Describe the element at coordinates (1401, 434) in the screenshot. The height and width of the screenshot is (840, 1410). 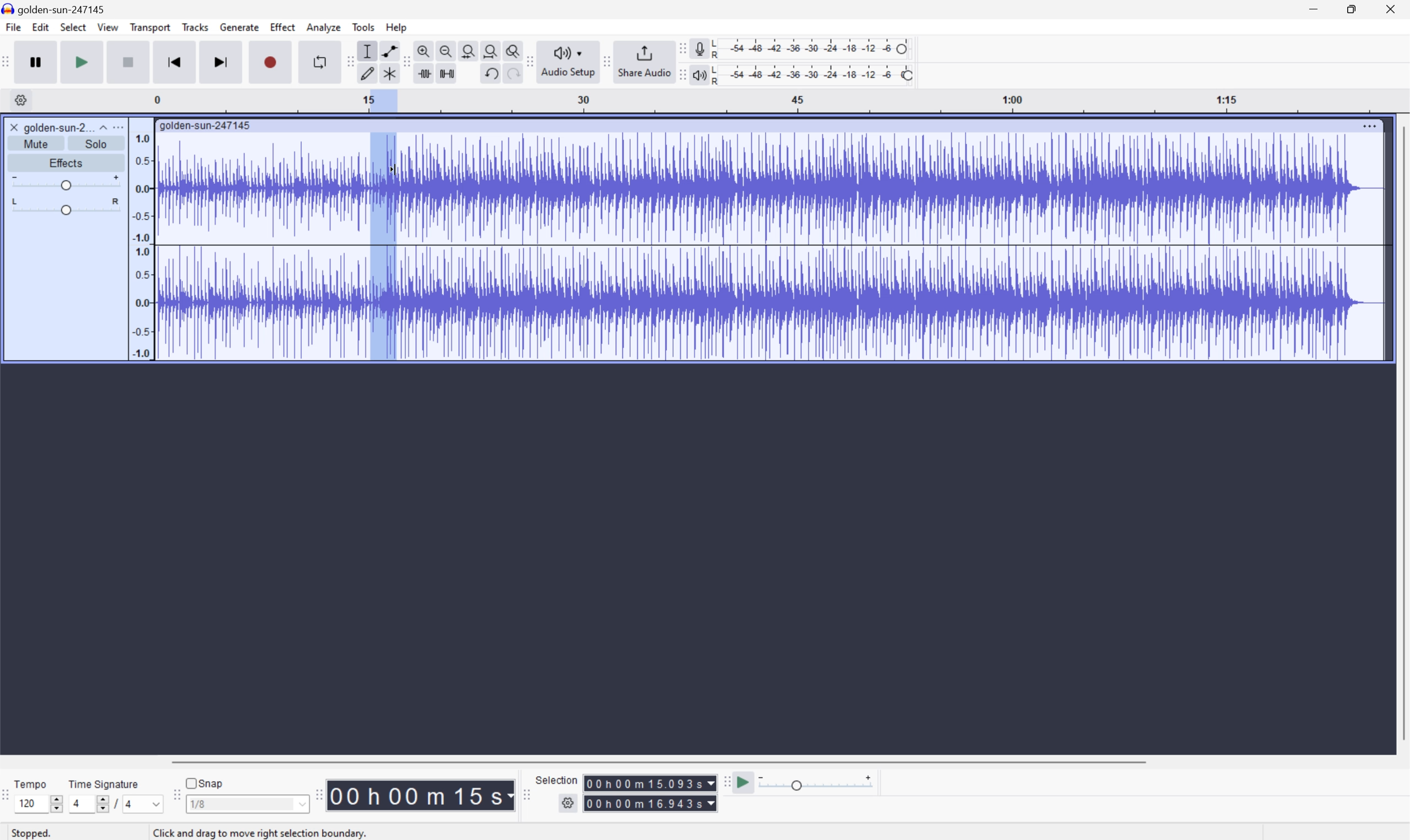
I see `Scroll Bar` at that location.